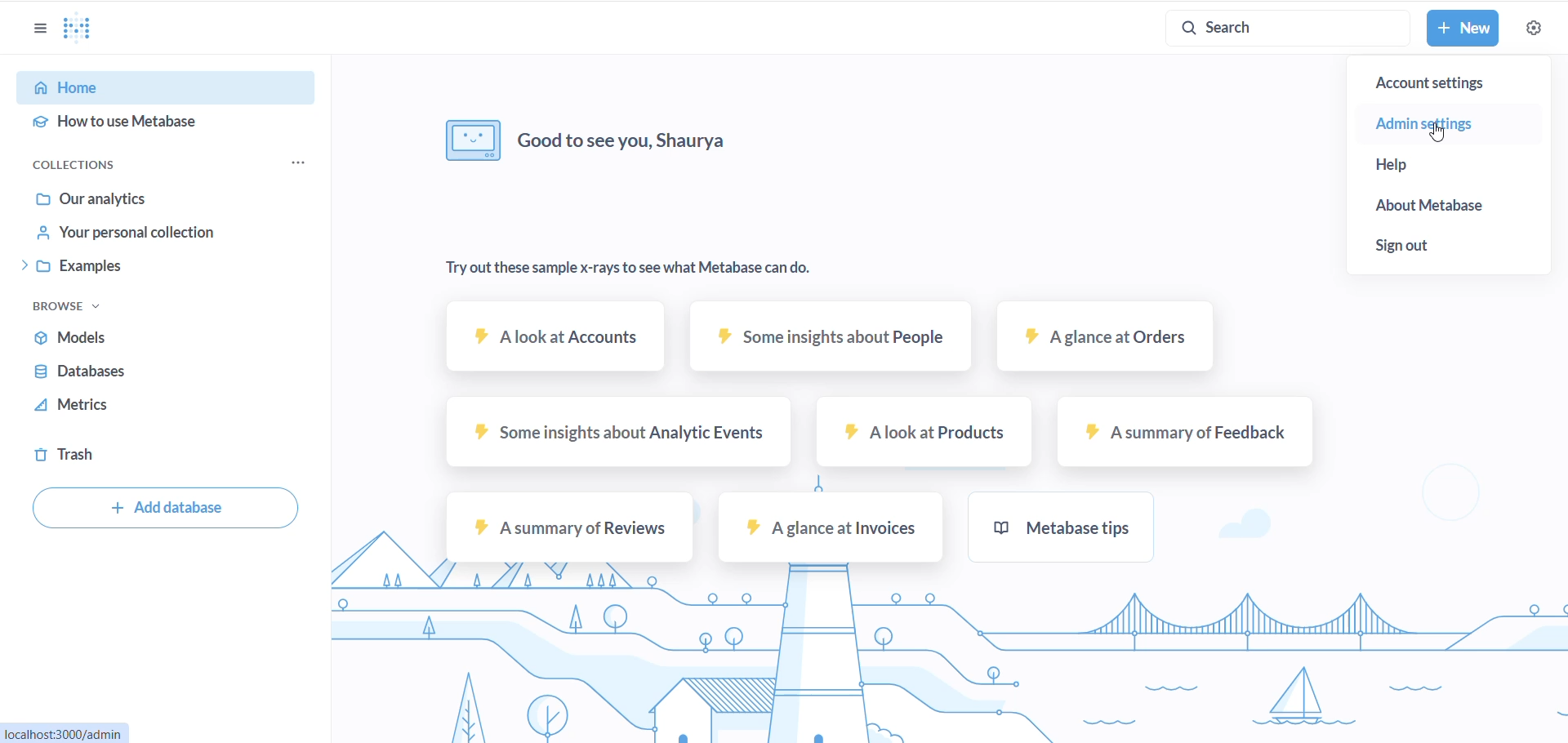 The height and width of the screenshot is (743, 1568). Describe the element at coordinates (1441, 132) in the screenshot. I see `cursor` at that location.